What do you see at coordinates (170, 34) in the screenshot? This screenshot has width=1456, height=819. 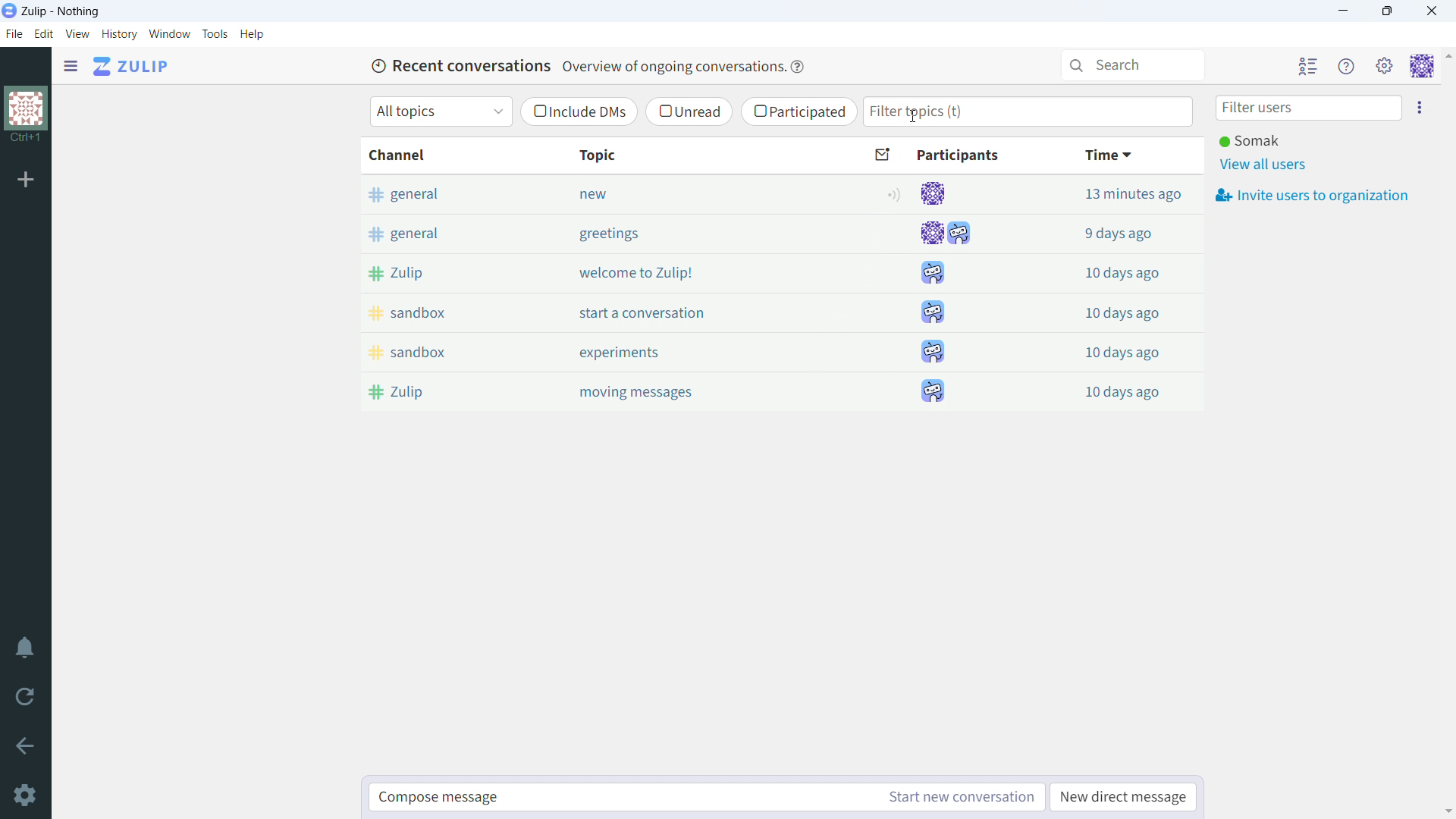 I see `window` at bounding box center [170, 34].